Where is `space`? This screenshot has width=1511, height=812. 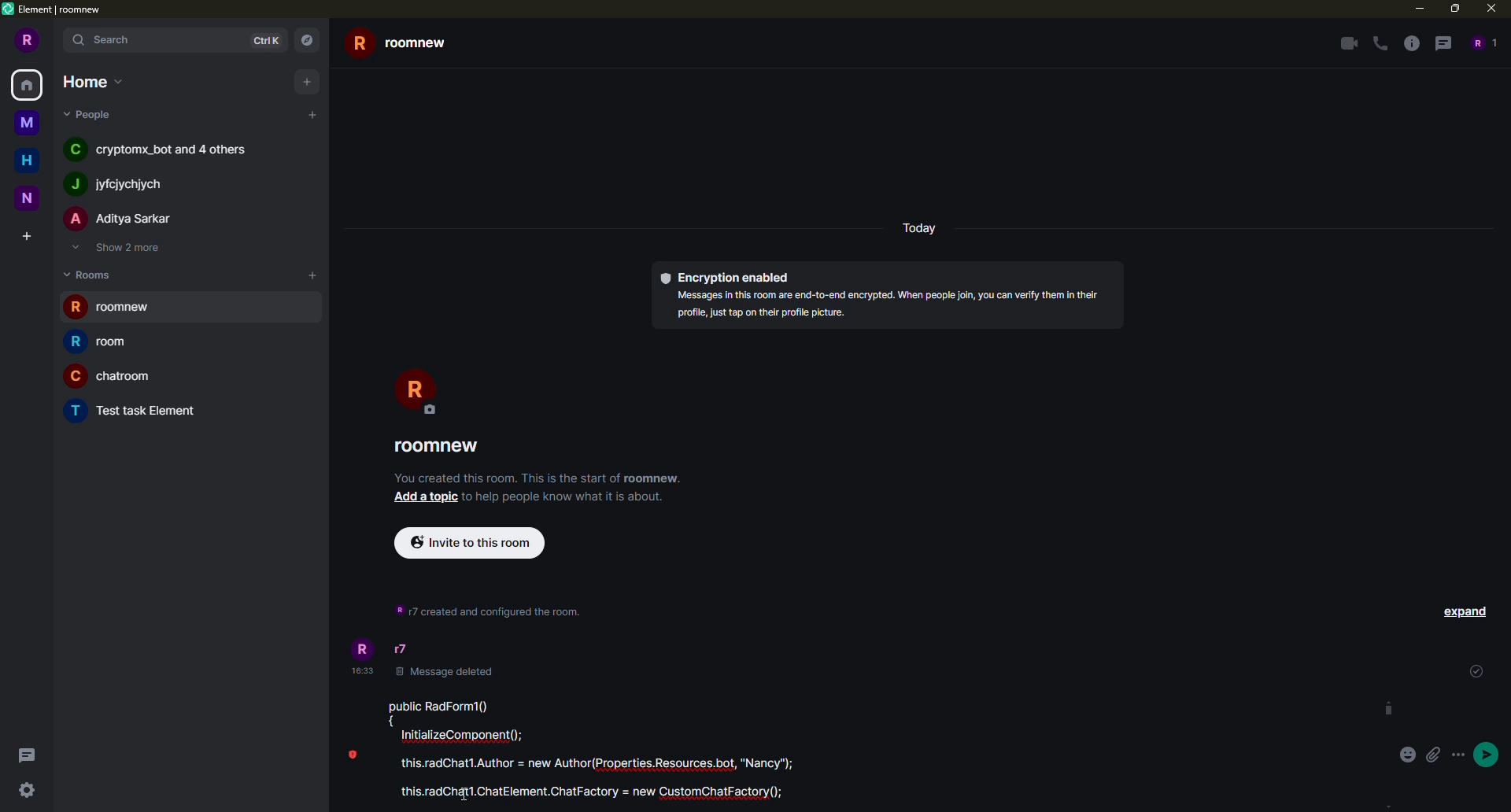 space is located at coordinates (28, 123).